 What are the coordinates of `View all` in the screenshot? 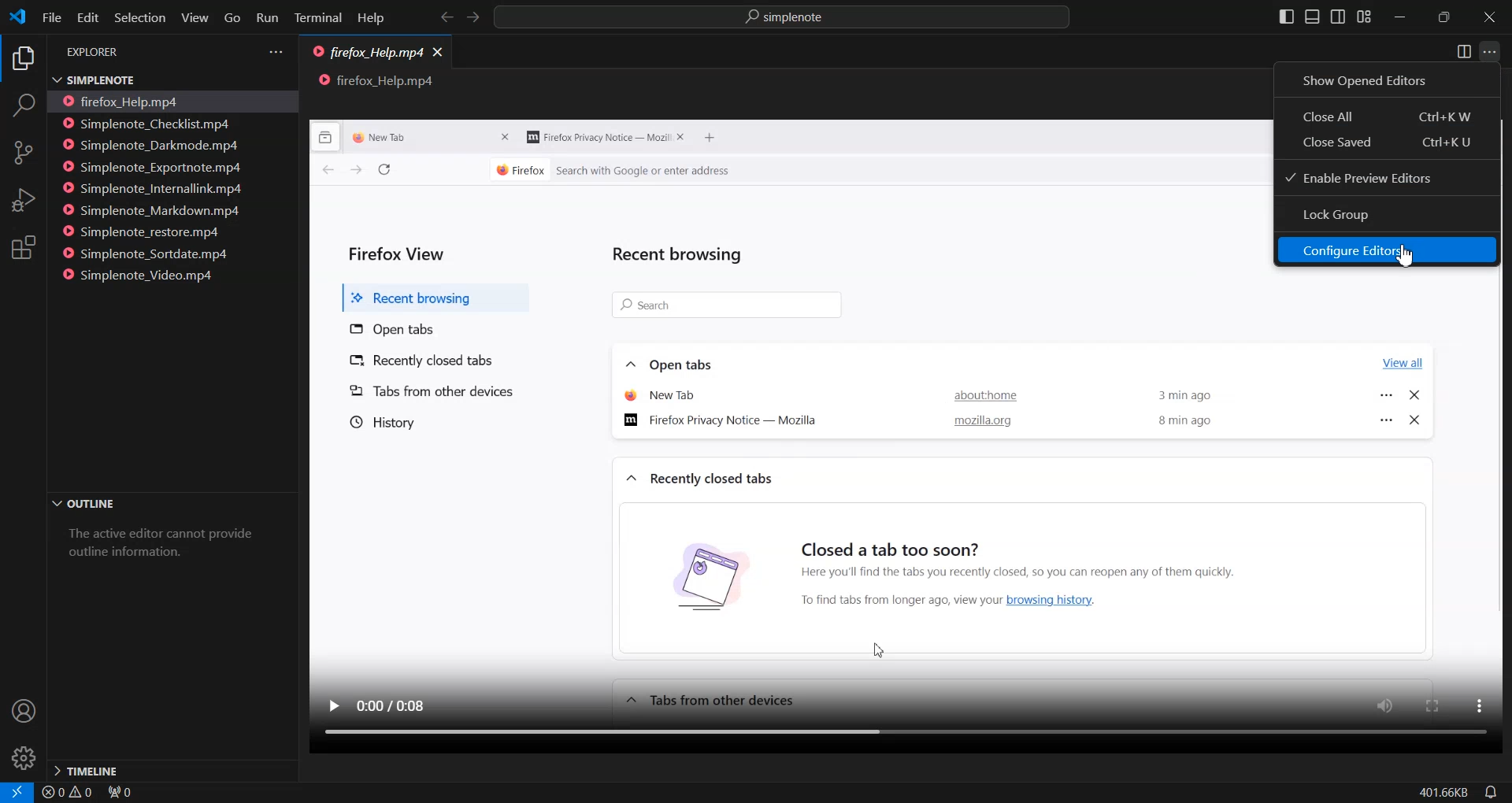 It's located at (1399, 360).